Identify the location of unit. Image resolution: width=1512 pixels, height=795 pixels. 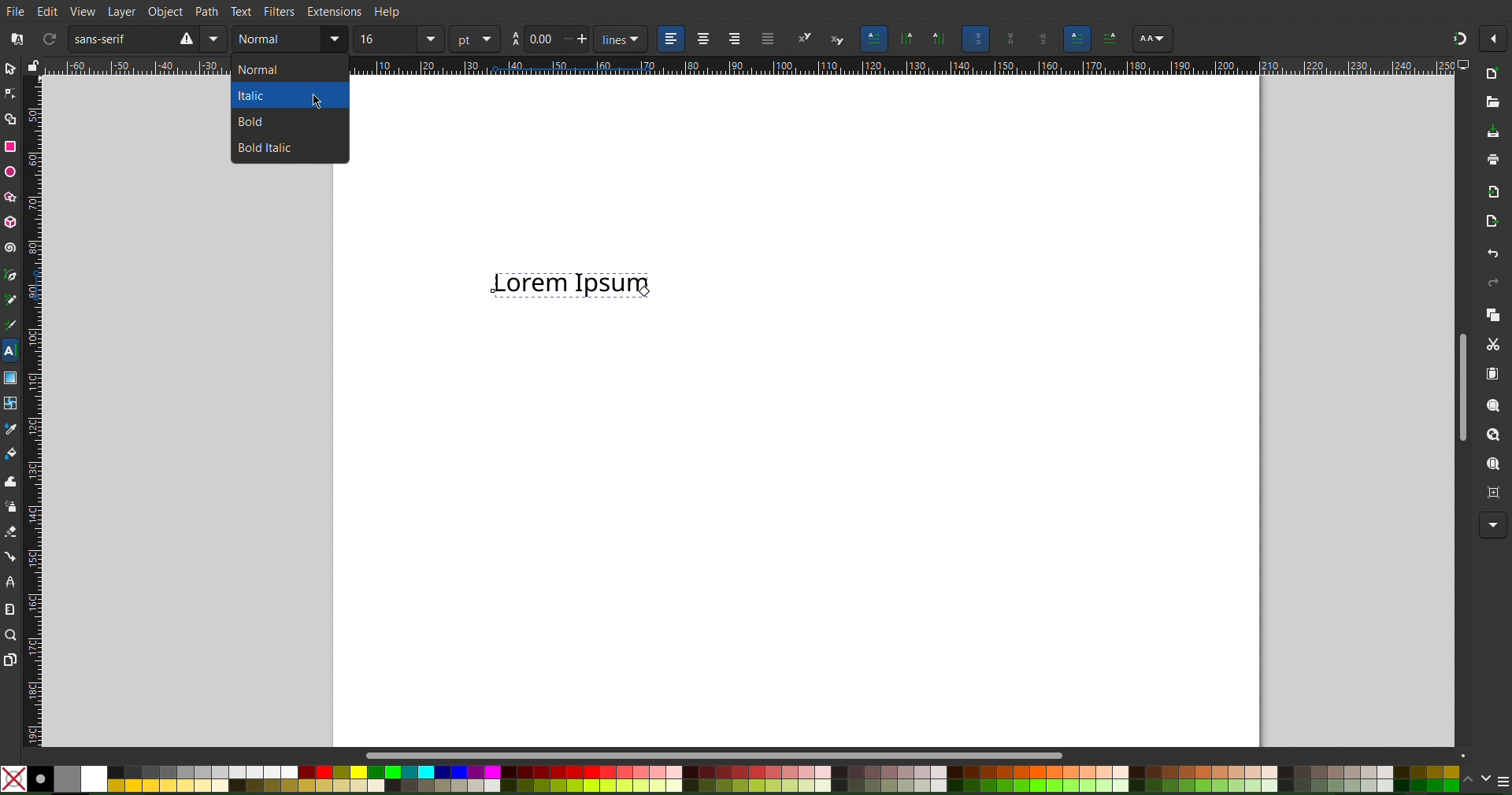
(476, 39).